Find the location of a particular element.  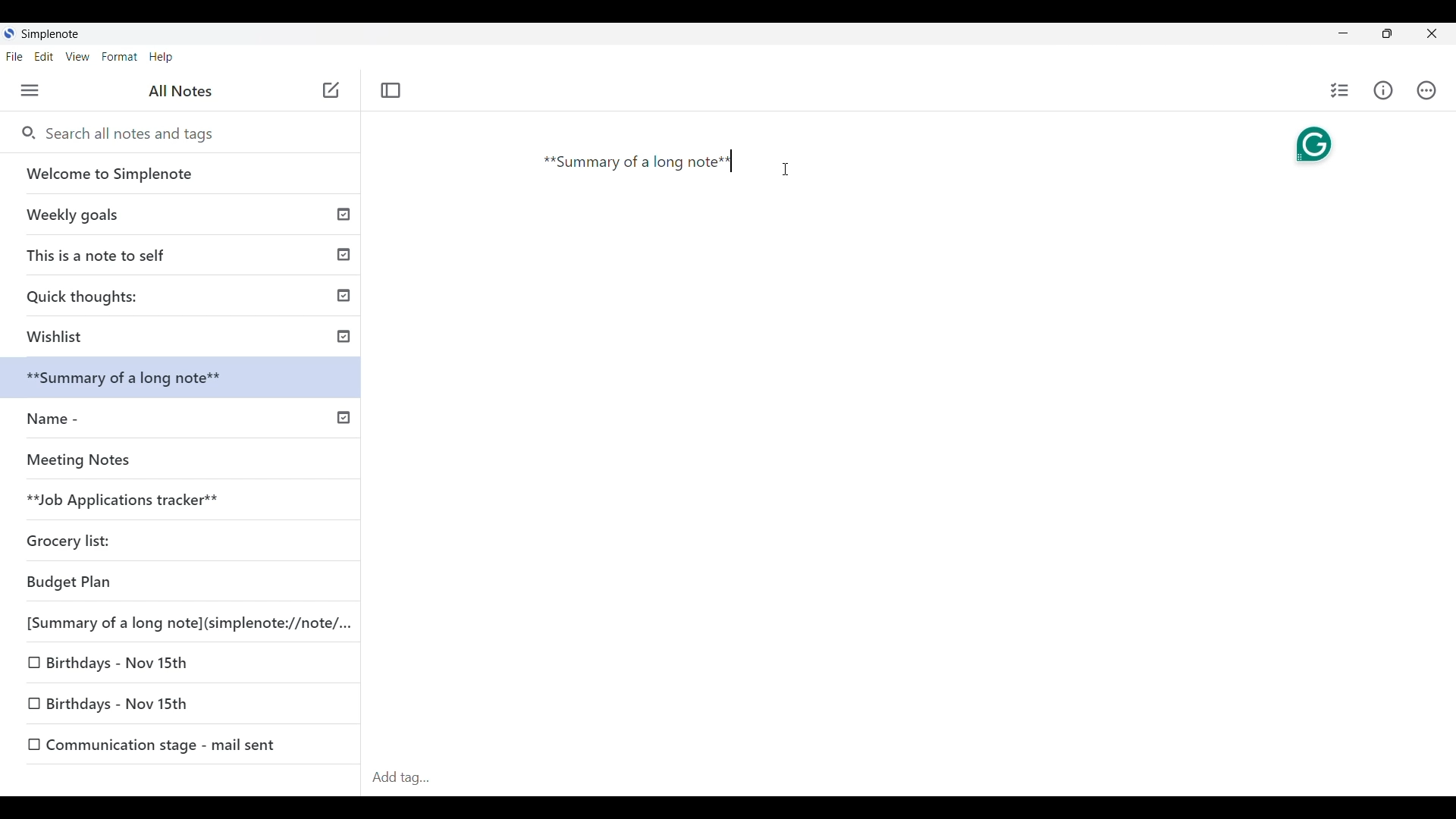

Cursor is located at coordinates (799, 173).